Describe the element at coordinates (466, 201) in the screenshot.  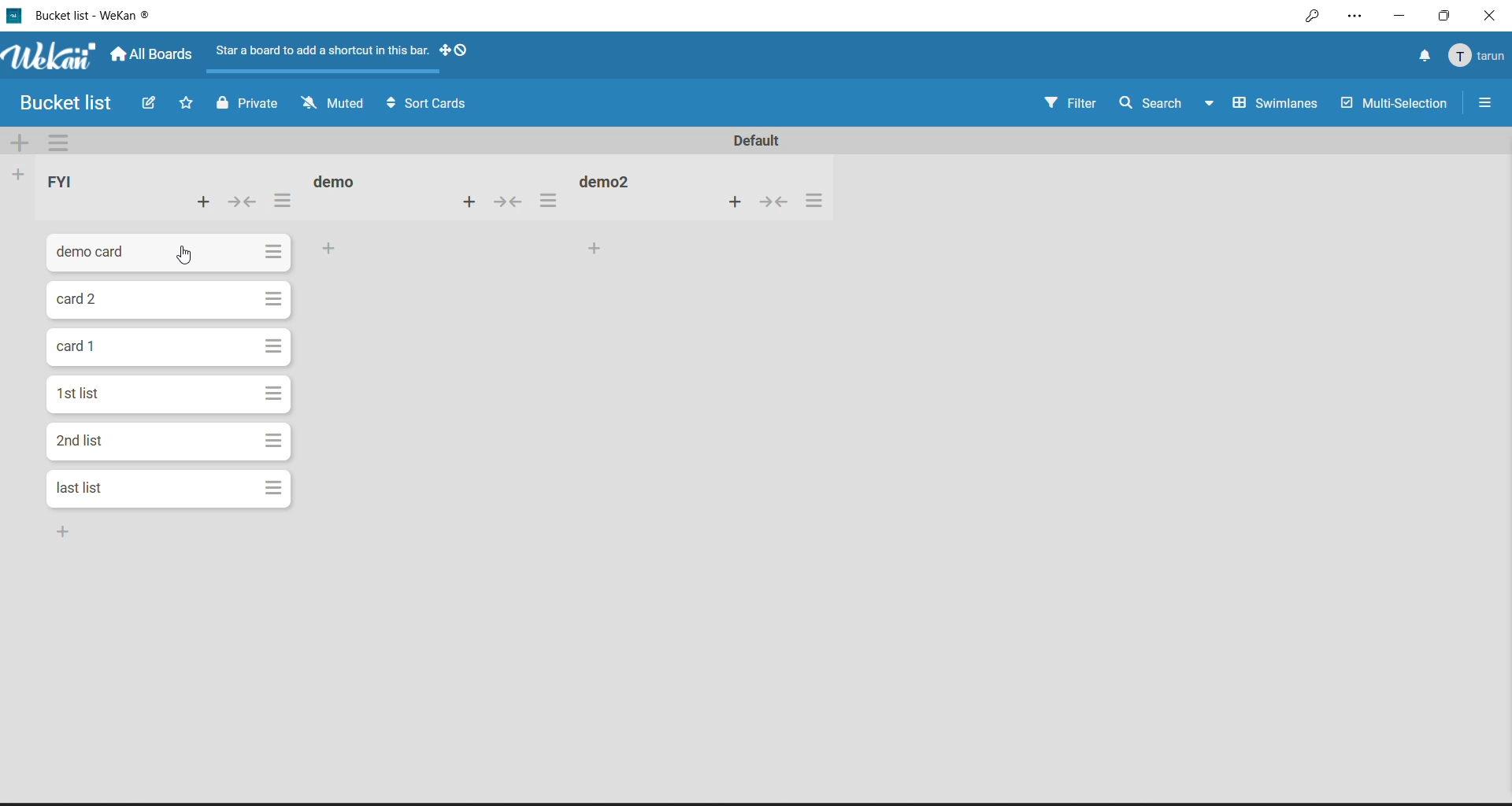
I see `add card to top` at that location.